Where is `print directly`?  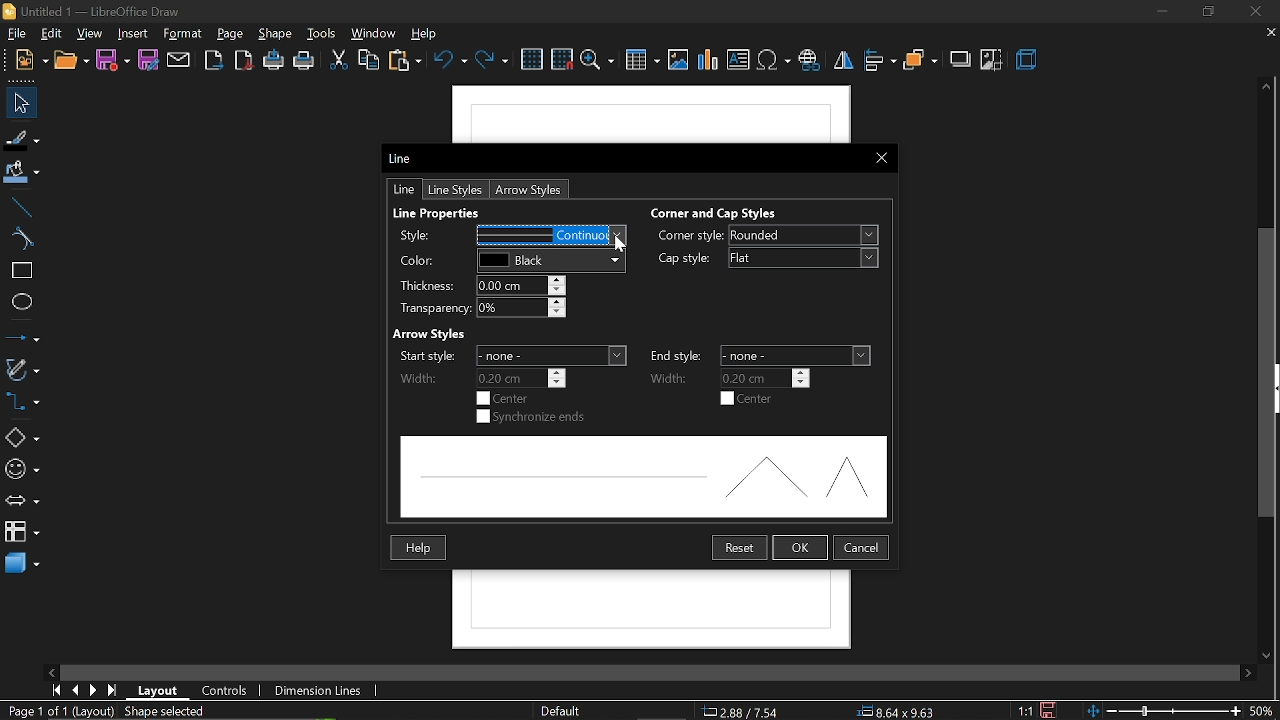
print directly is located at coordinates (273, 61).